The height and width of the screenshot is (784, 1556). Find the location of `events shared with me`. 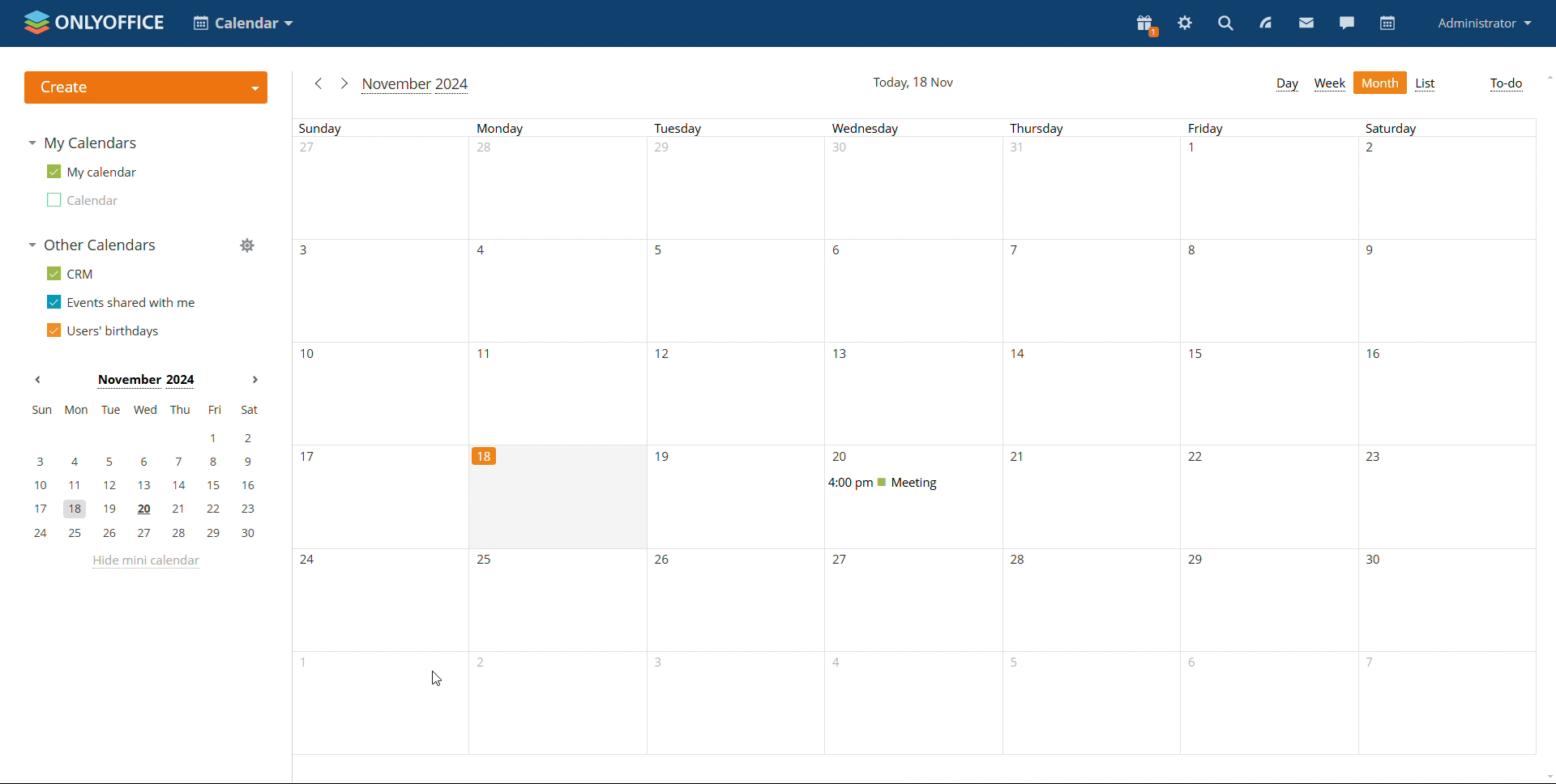

events shared with me is located at coordinates (122, 301).